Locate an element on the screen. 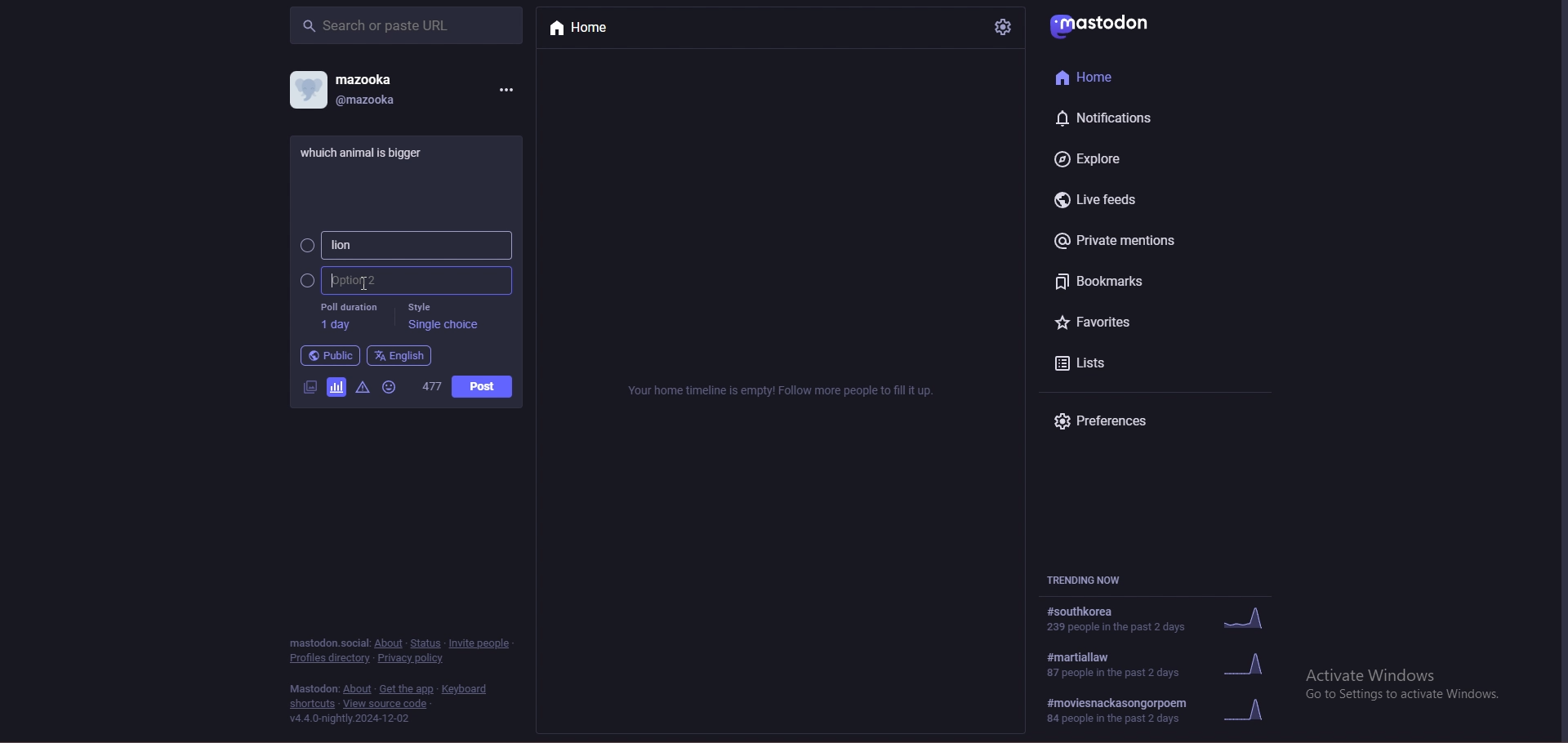 This screenshot has height=743, width=1568. settings is located at coordinates (1001, 27).